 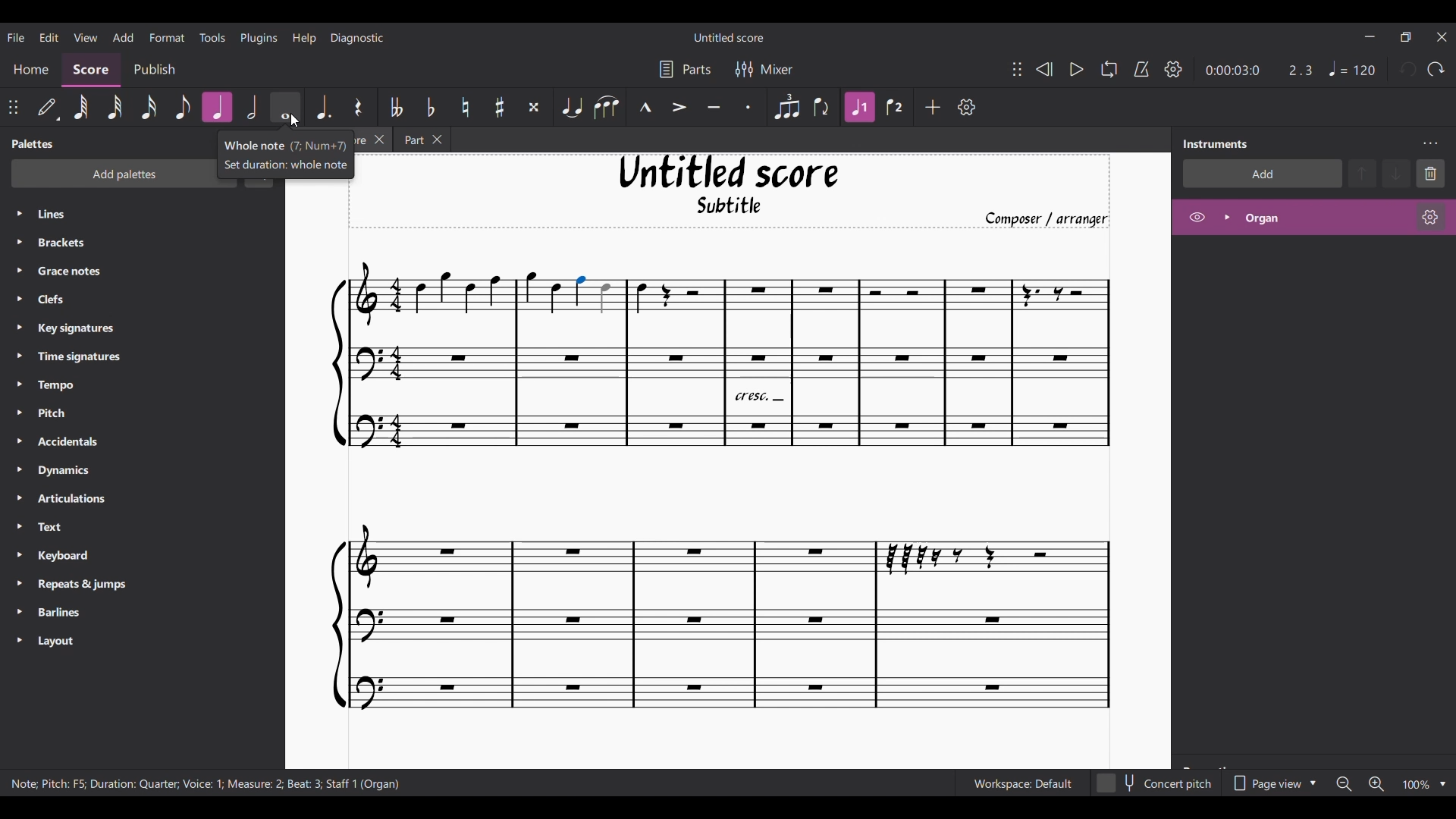 What do you see at coordinates (786, 108) in the screenshot?
I see `Tuplet` at bounding box center [786, 108].